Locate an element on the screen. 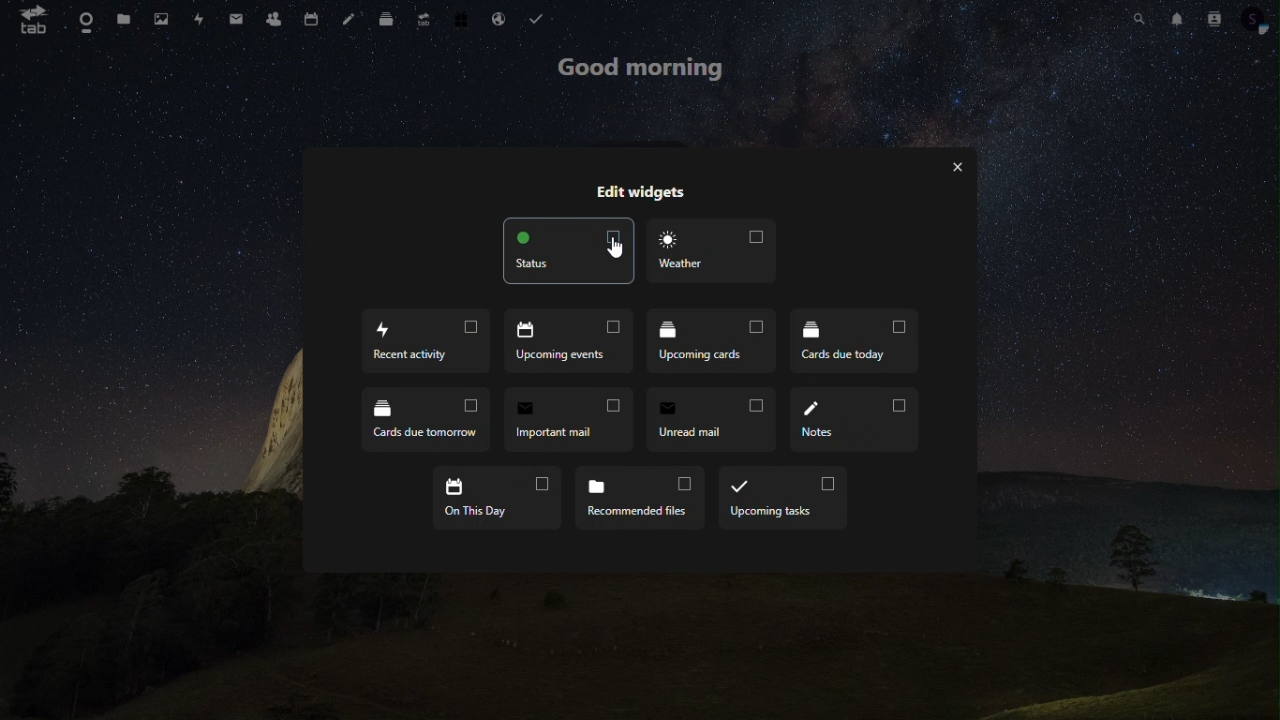  good morning is located at coordinates (642, 70).